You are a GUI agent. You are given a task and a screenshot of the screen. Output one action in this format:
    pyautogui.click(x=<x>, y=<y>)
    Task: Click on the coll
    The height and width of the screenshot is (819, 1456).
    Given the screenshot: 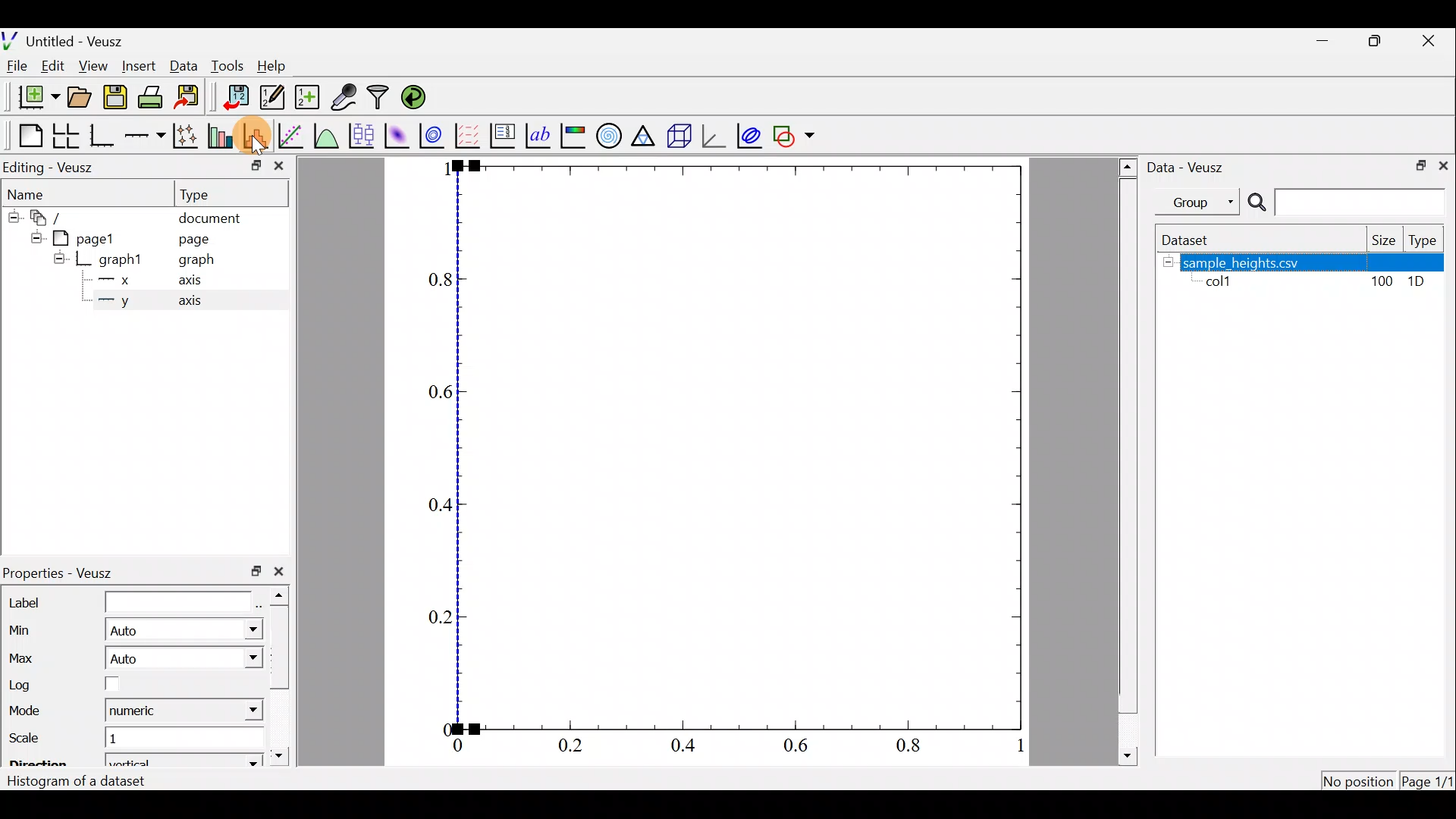 What is the action you would take?
    pyautogui.click(x=1225, y=283)
    